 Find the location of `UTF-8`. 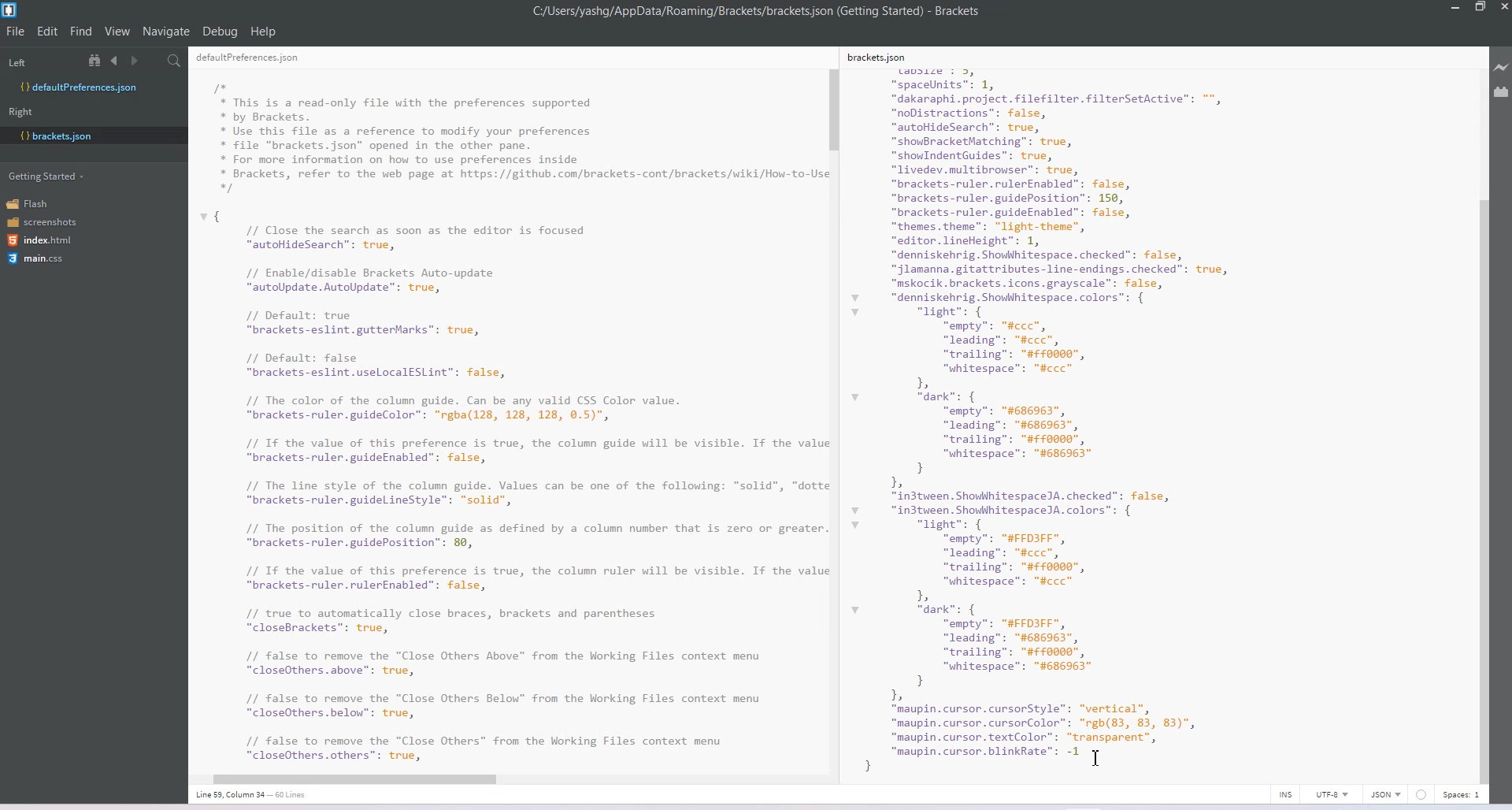

UTF-8 is located at coordinates (1332, 794).